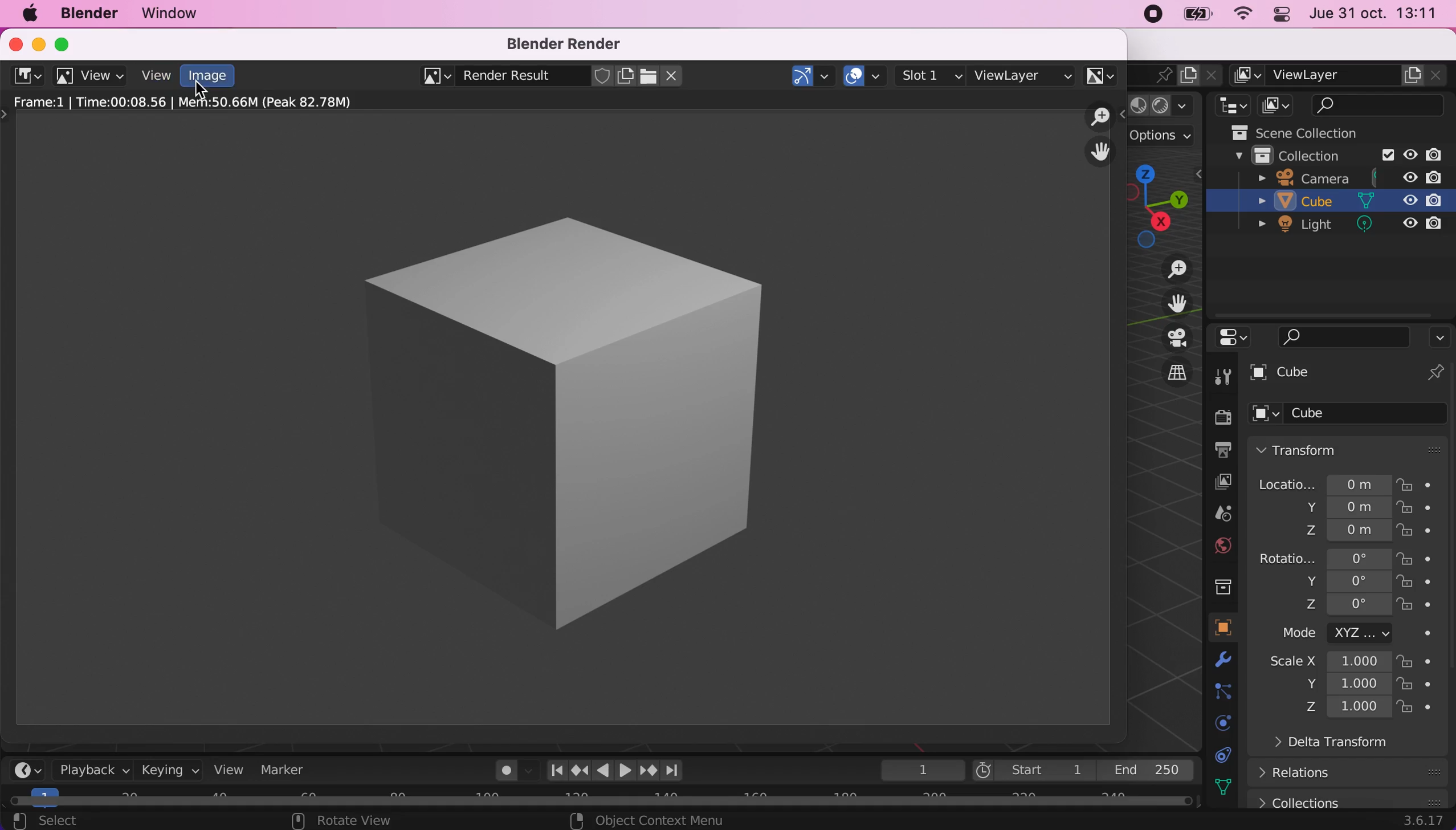 Image resolution: width=1456 pixels, height=830 pixels. Describe the element at coordinates (1168, 303) in the screenshot. I see `move the view` at that location.